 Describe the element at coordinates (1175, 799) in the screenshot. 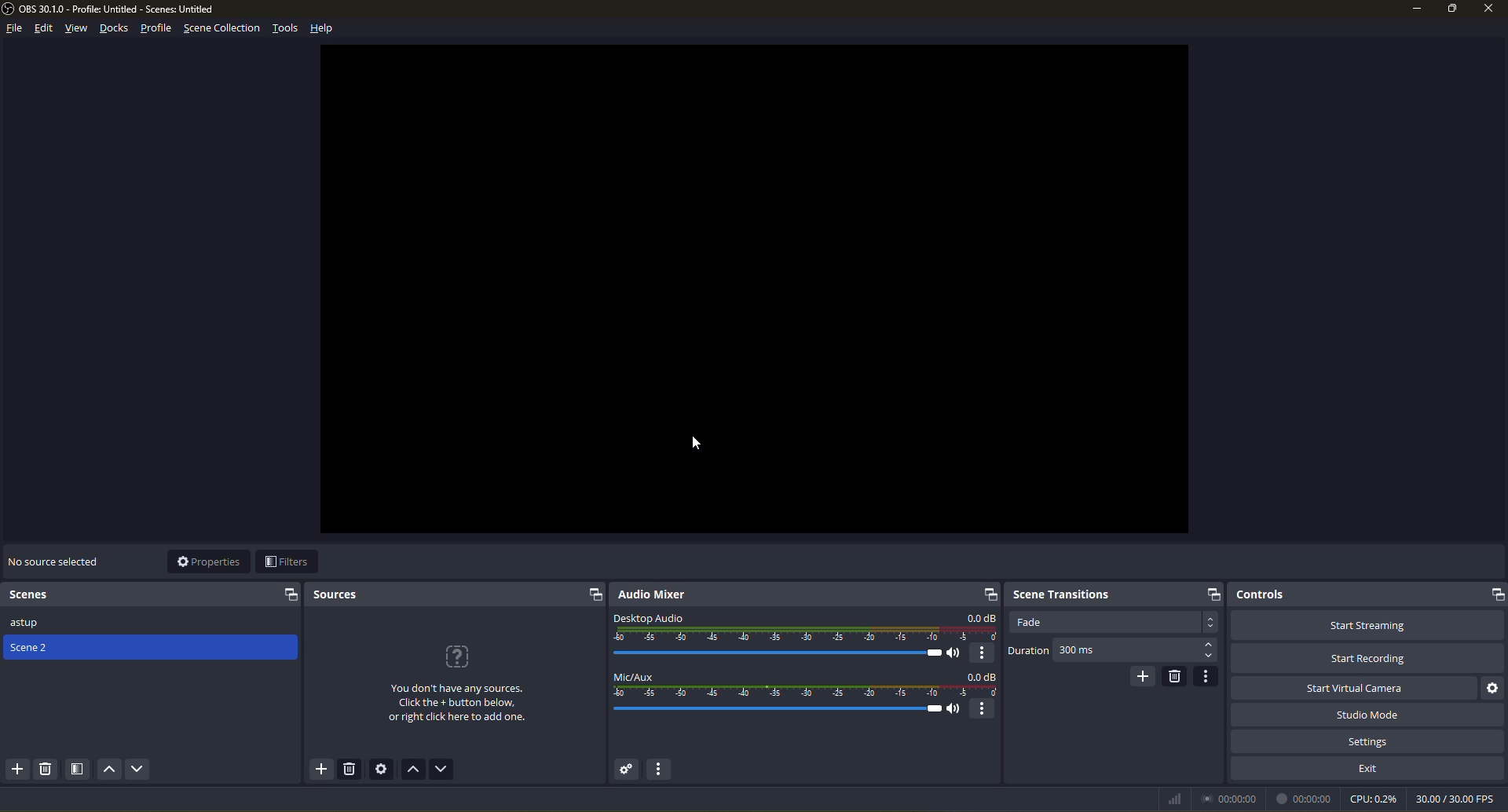

I see `network` at that location.